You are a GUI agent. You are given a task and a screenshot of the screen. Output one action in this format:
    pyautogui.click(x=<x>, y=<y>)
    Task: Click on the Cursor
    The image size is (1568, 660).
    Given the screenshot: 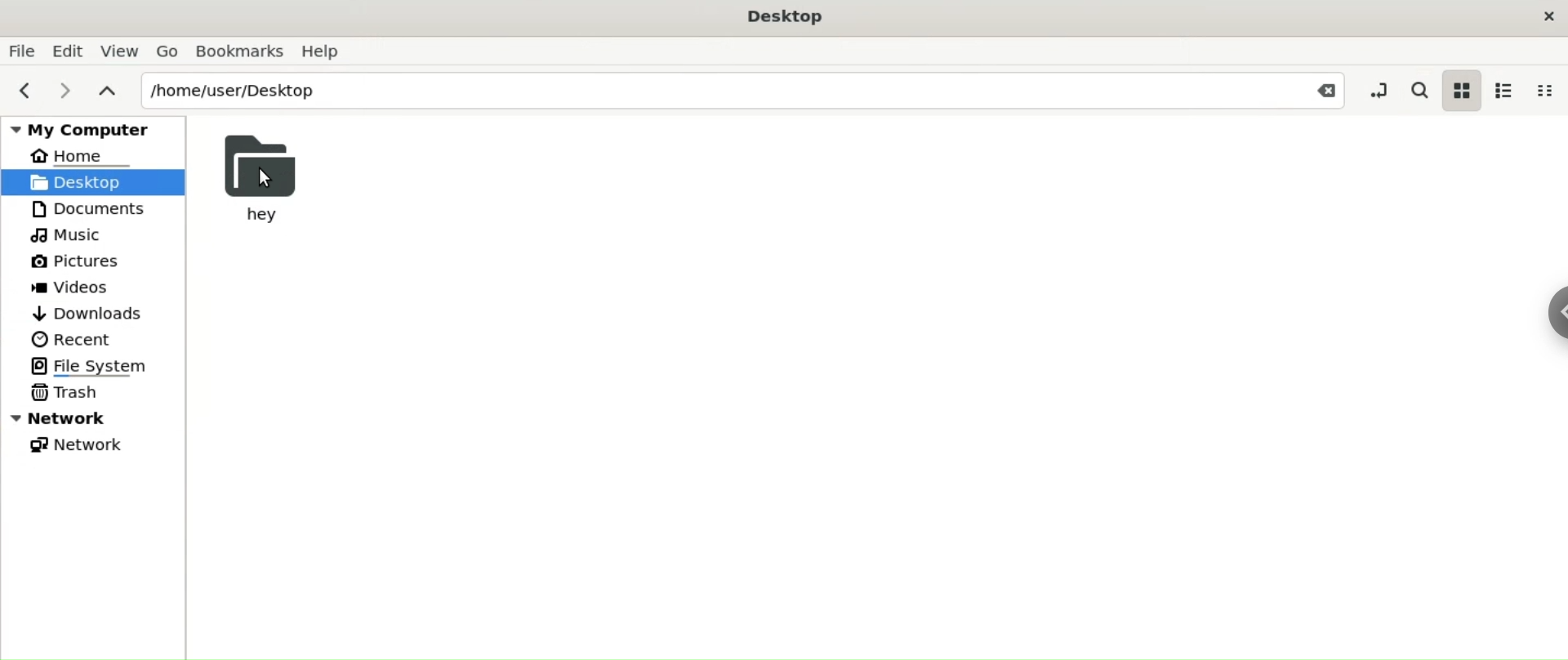 What is the action you would take?
    pyautogui.click(x=270, y=181)
    